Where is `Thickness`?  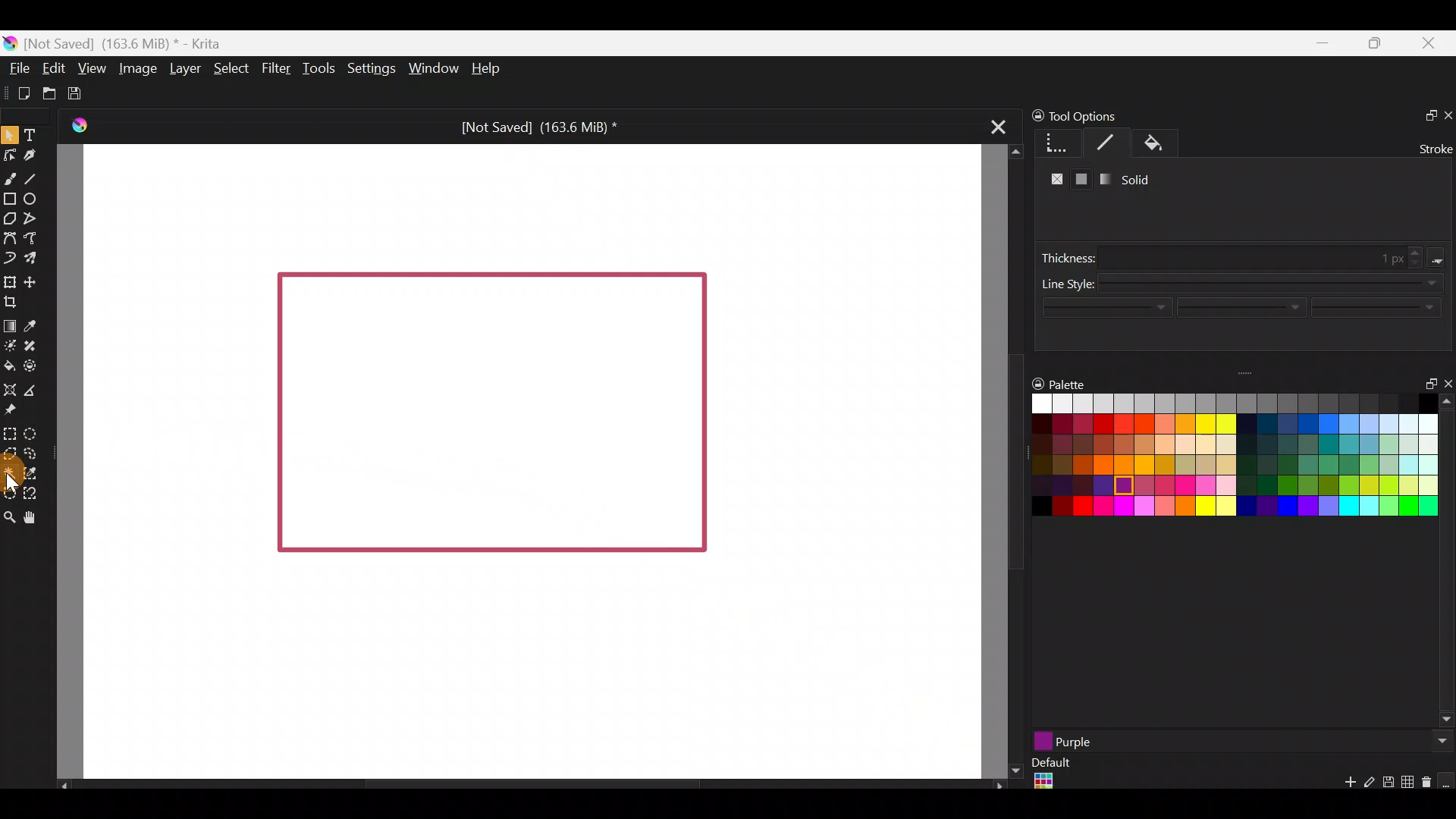
Thickness is located at coordinates (1245, 251).